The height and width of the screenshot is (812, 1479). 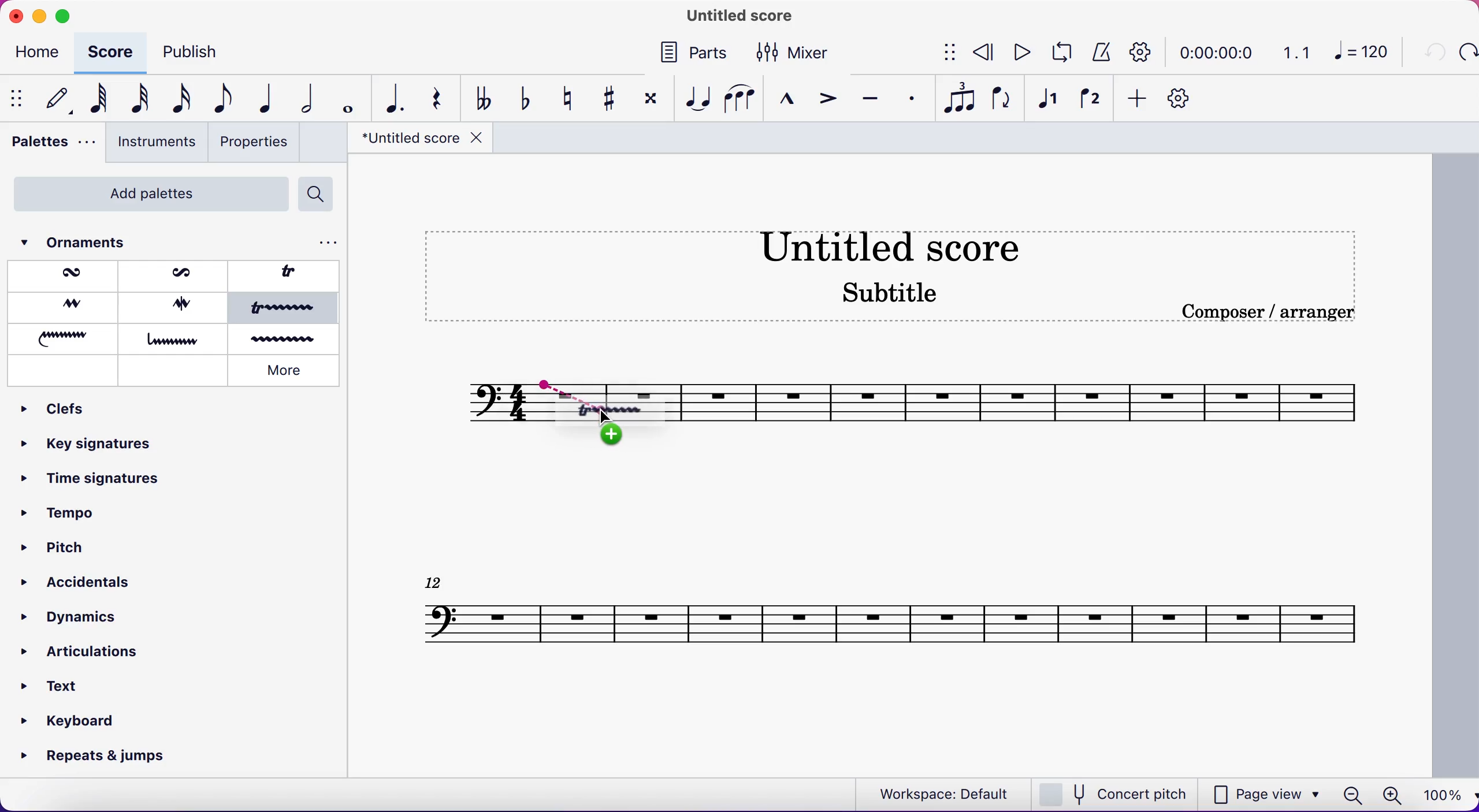 What do you see at coordinates (697, 98) in the screenshot?
I see `tie` at bounding box center [697, 98].